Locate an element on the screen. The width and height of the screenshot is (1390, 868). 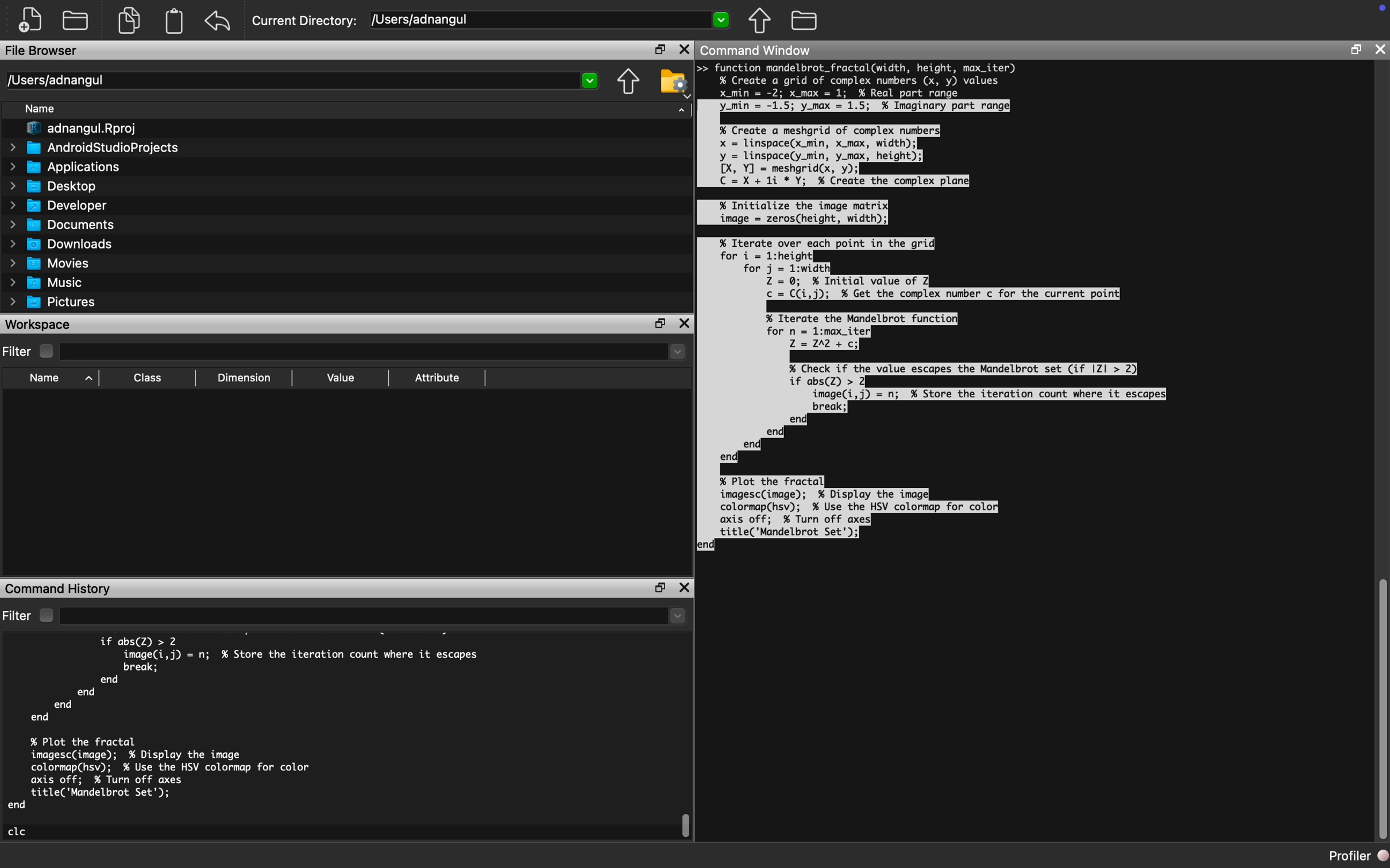
Name is located at coordinates (45, 378).